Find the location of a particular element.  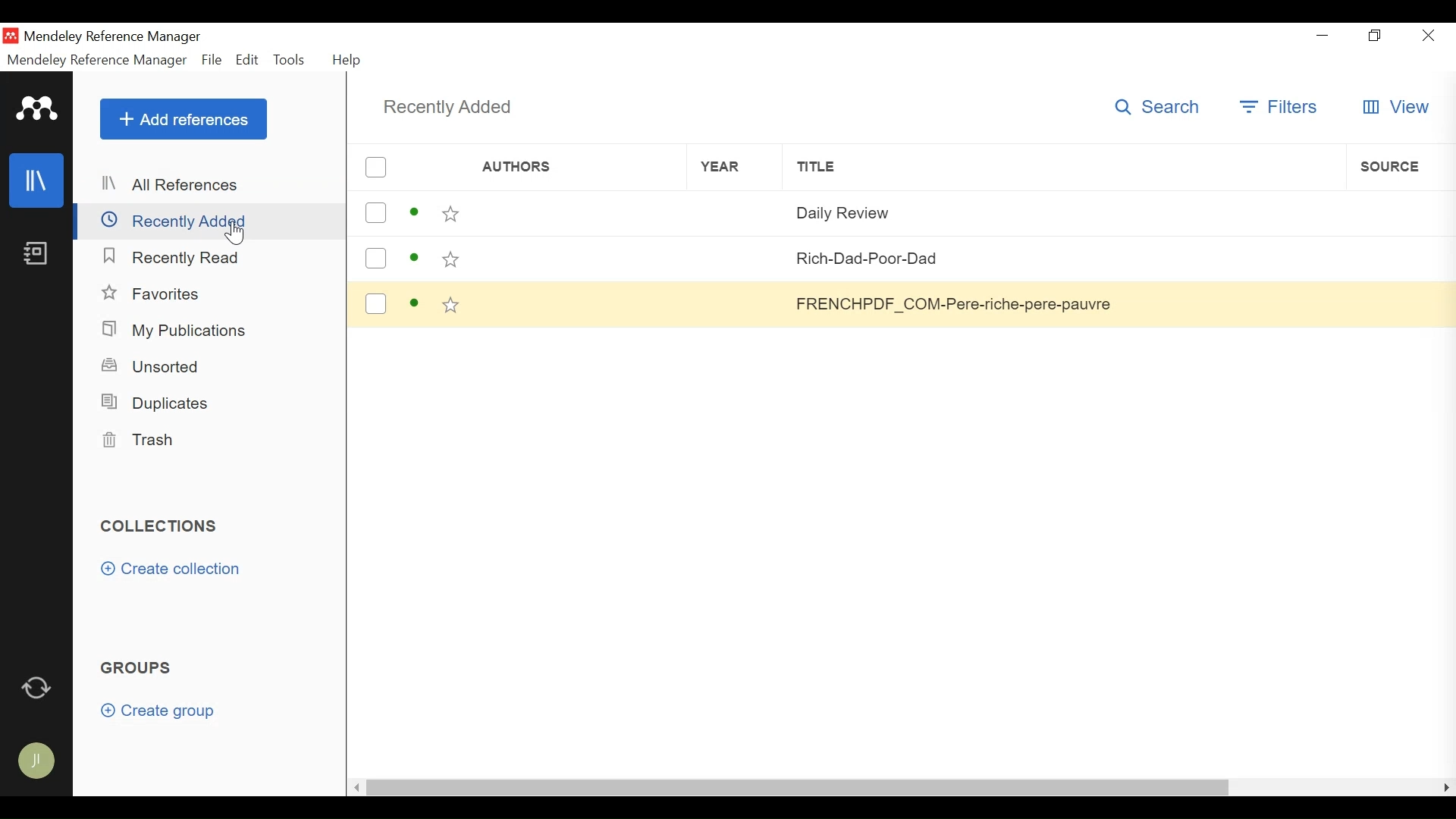

Sync is located at coordinates (40, 691).